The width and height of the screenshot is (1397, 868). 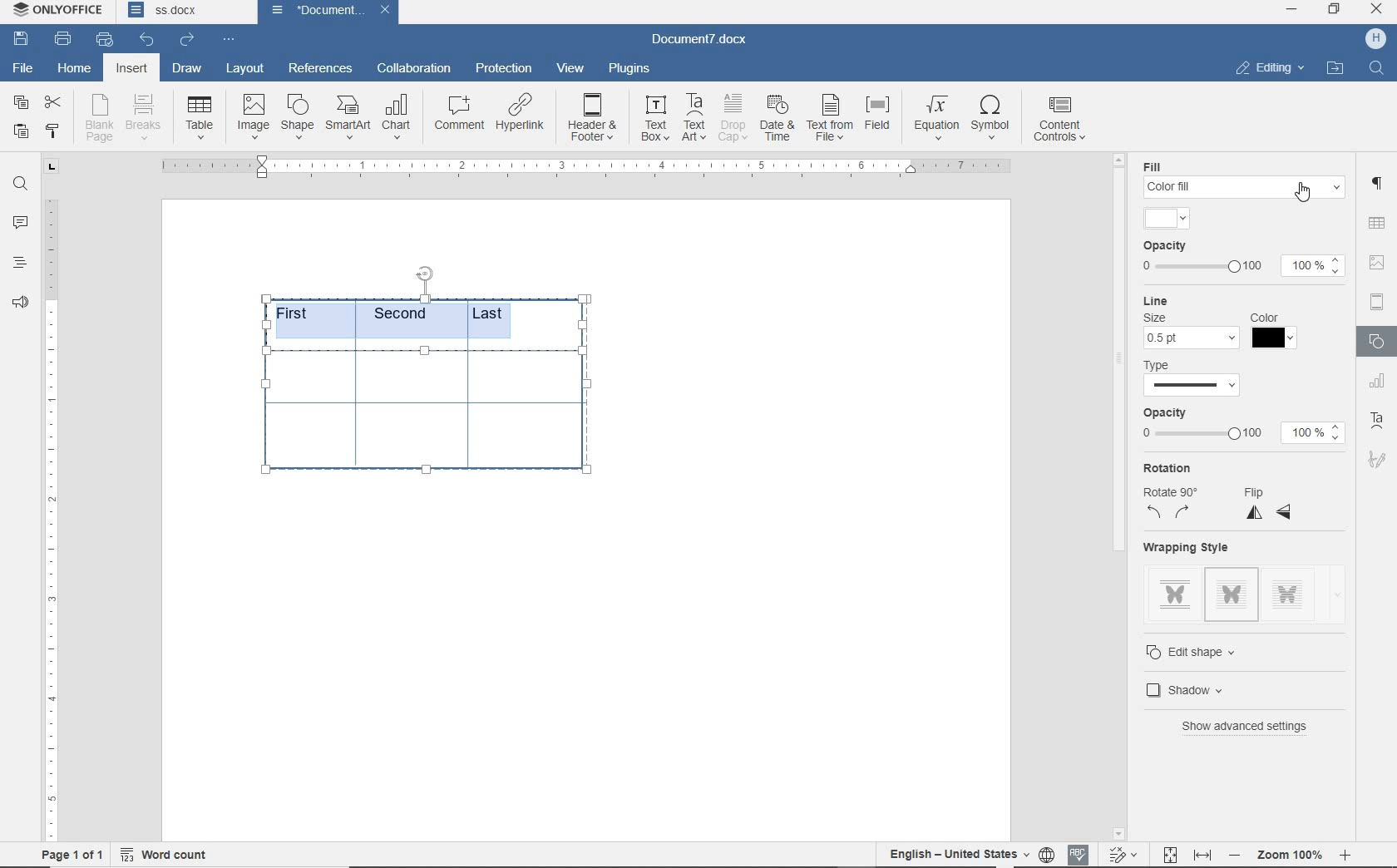 What do you see at coordinates (22, 223) in the screenshot?
I see `comments` at bounding box center [22, 223].